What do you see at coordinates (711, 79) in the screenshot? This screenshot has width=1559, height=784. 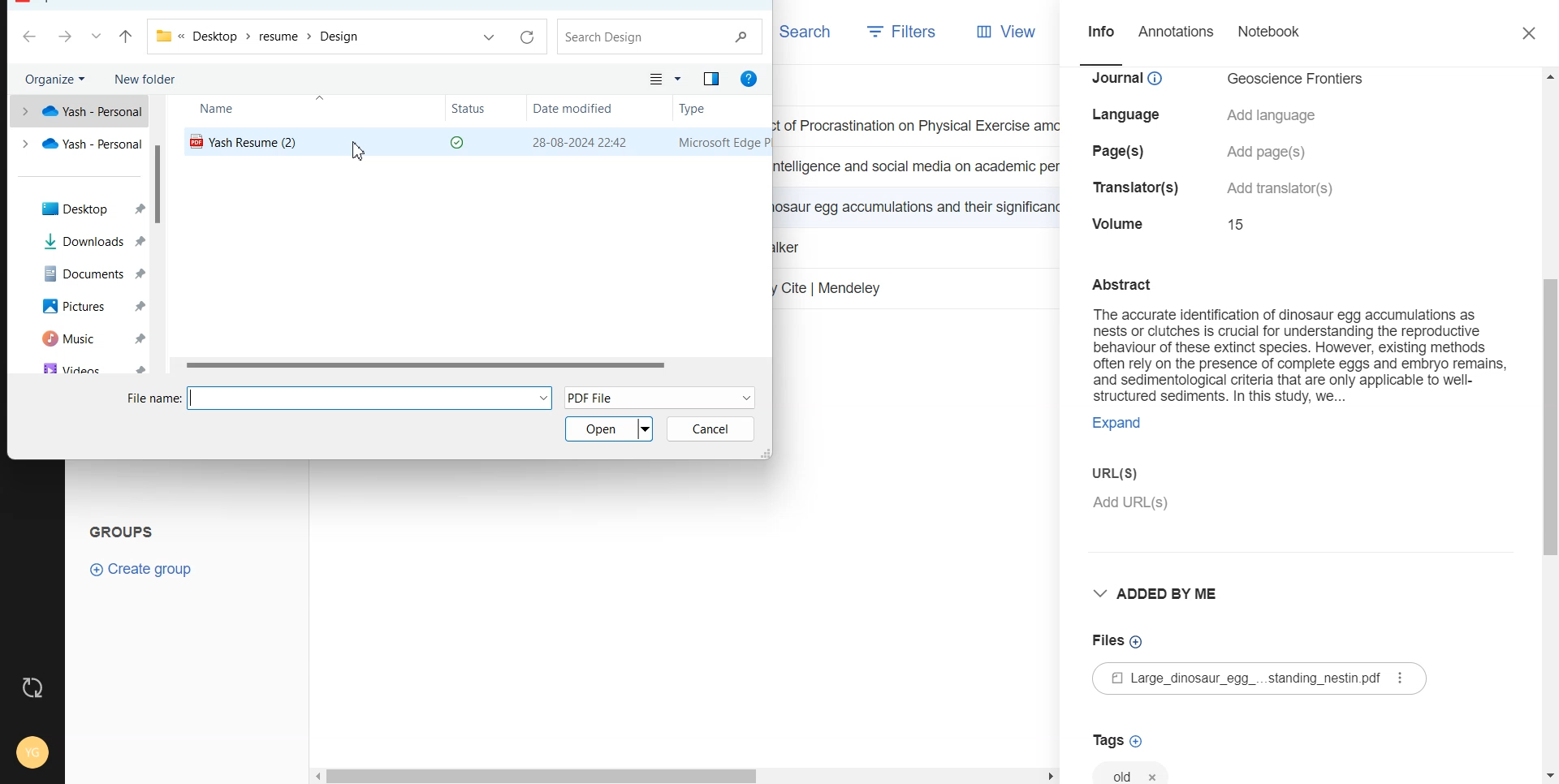 I see `Show the preview pane` at bounding box center [711, 79].